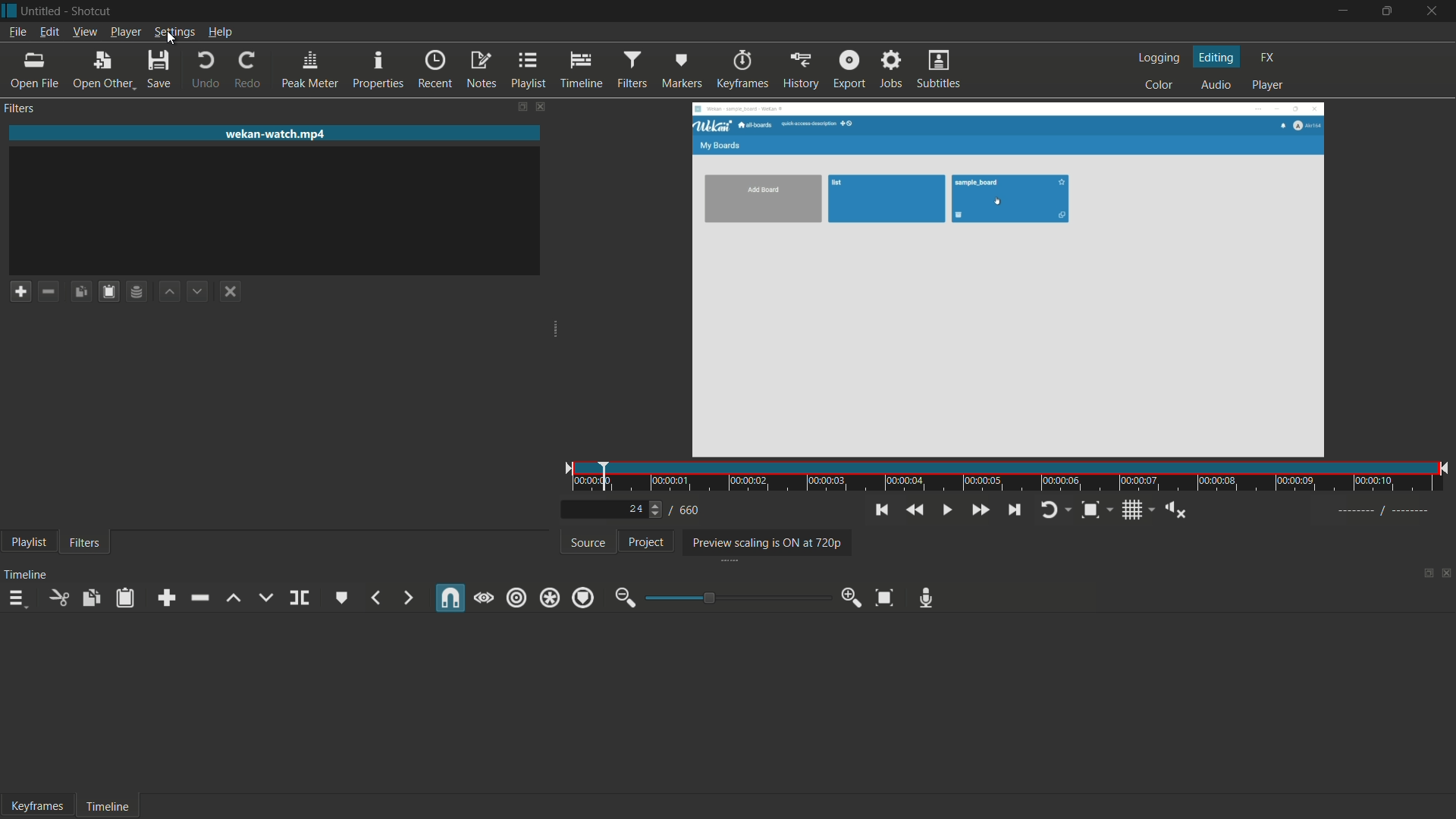  What do you see at coordinates (161, 69) in the screenshot?
I see `save` at bounding box center [161, 69].